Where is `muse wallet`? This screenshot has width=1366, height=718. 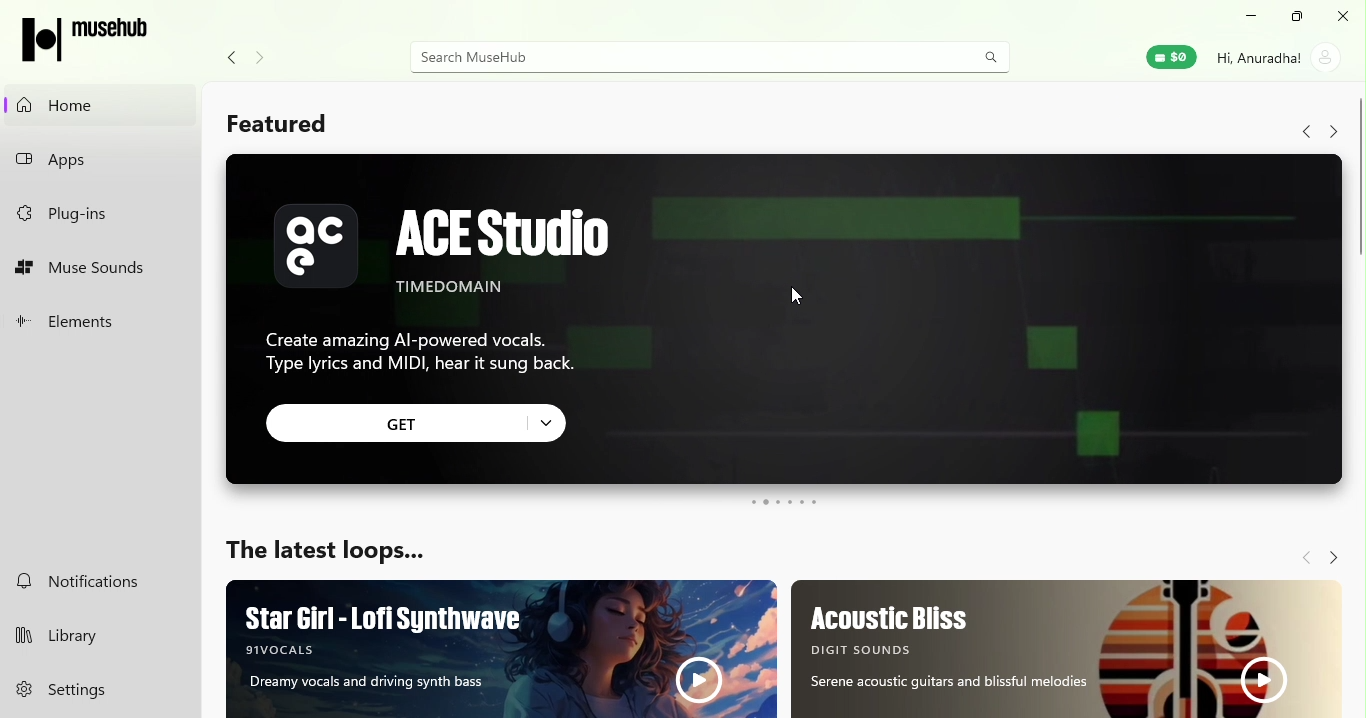
muse wallet is located at coordinates (1167, 56).